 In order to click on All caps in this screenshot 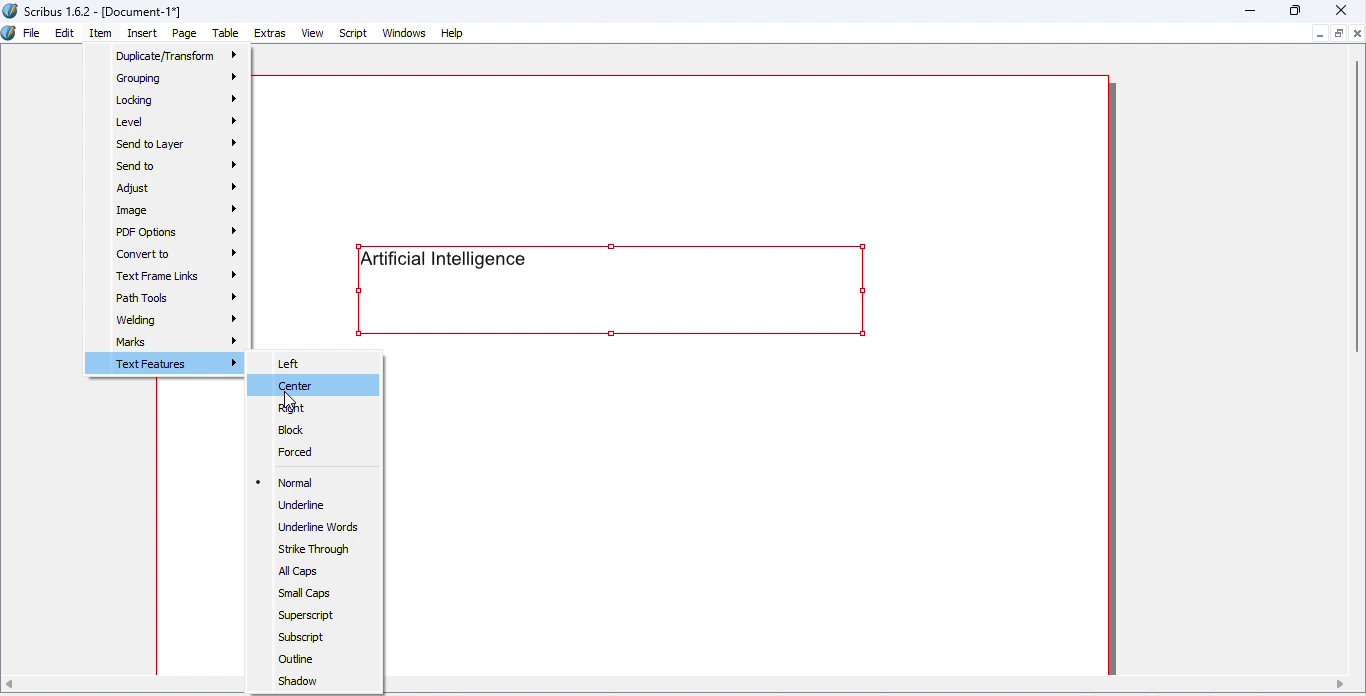, I will do `click(300, 573)`.